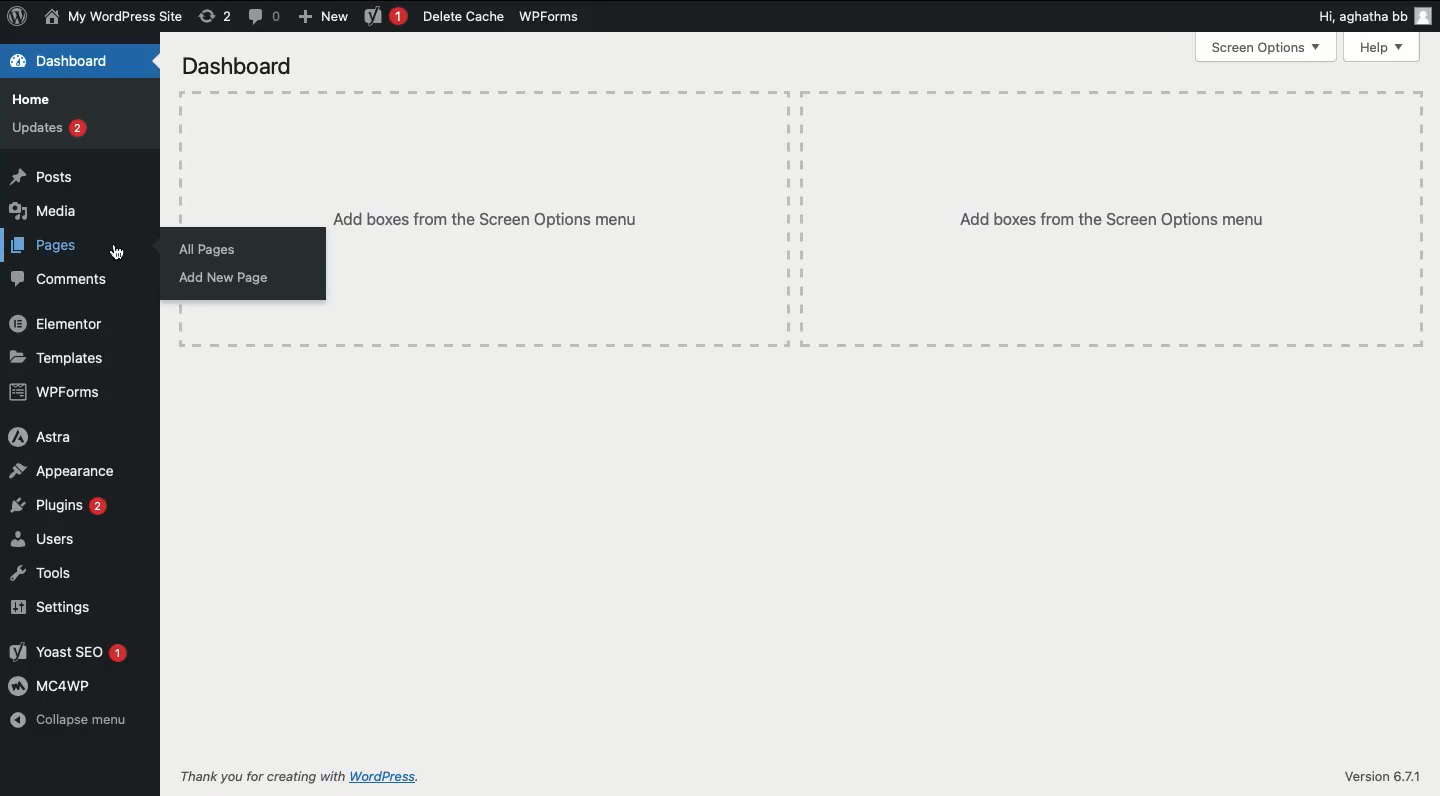 The image size is (1440, 796). I want to click on Plugins, so click(57, 506).